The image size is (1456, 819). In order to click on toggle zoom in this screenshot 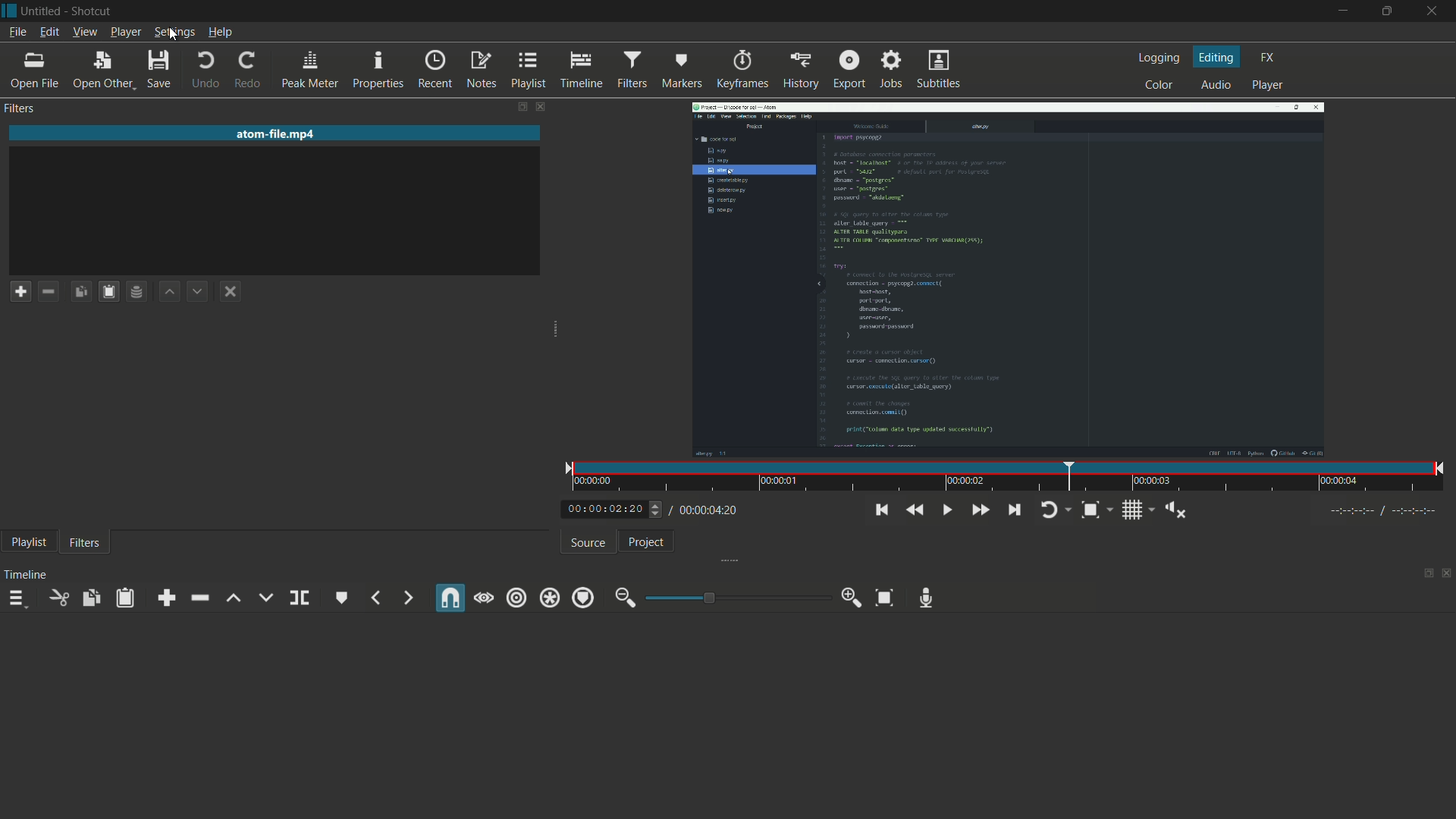, I will do `click(1097, 510)`.